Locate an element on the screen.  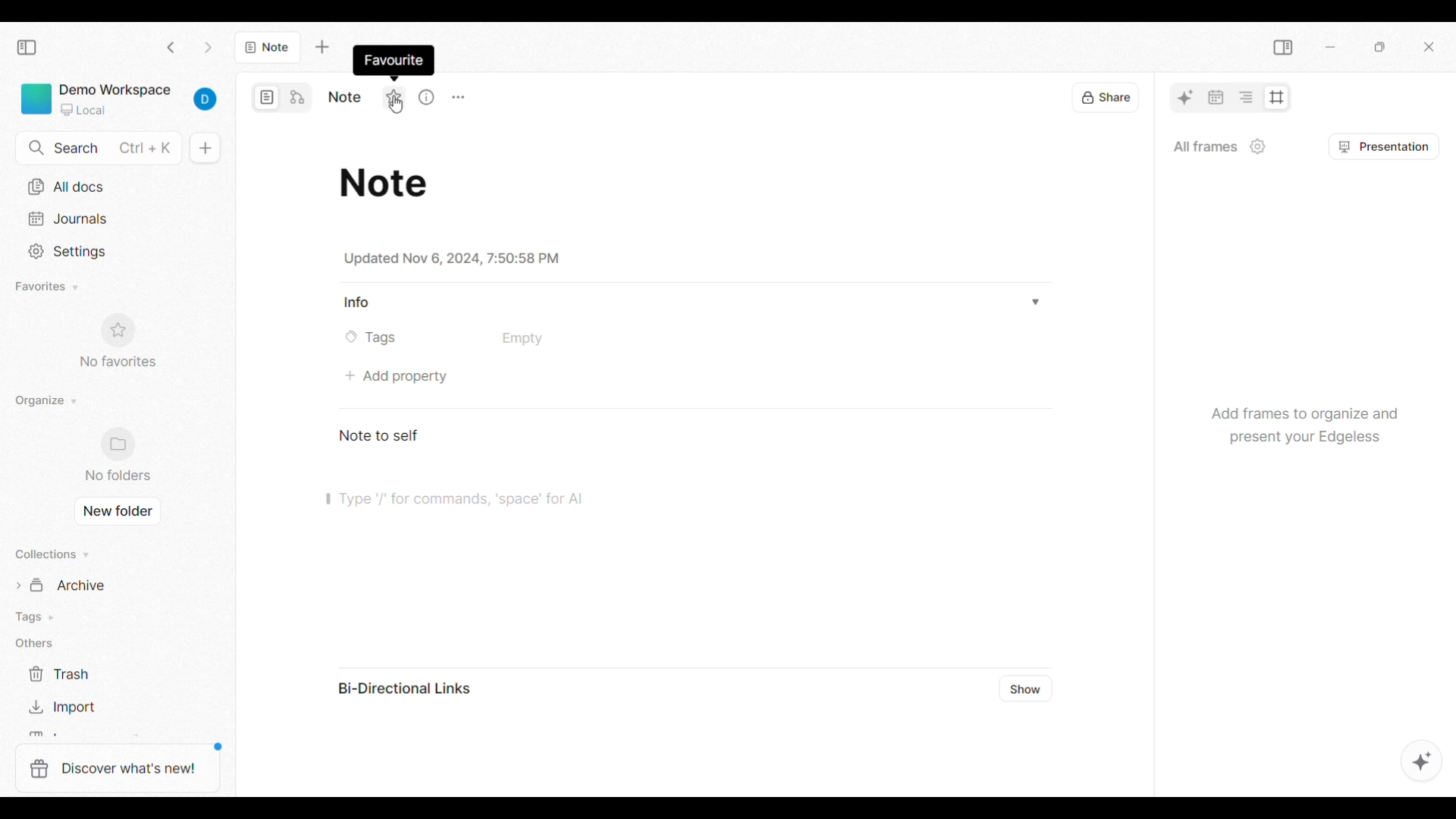
Note to self is located at coordinates (381, 435).